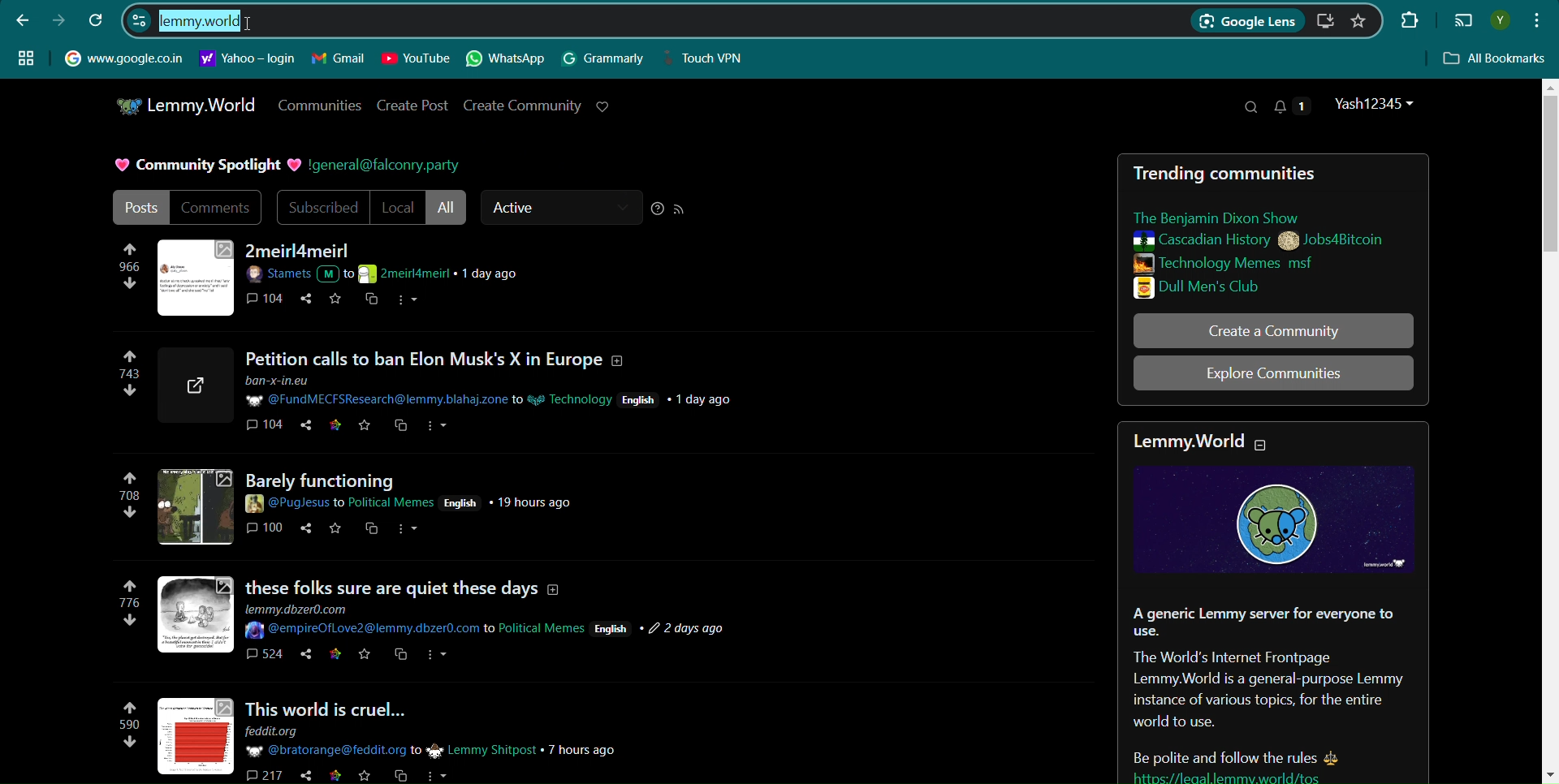 This screenshot has height=784, width=1559. Describe the element at coordinates (58, 20) in the screenshot. I see `Forward` at that location.